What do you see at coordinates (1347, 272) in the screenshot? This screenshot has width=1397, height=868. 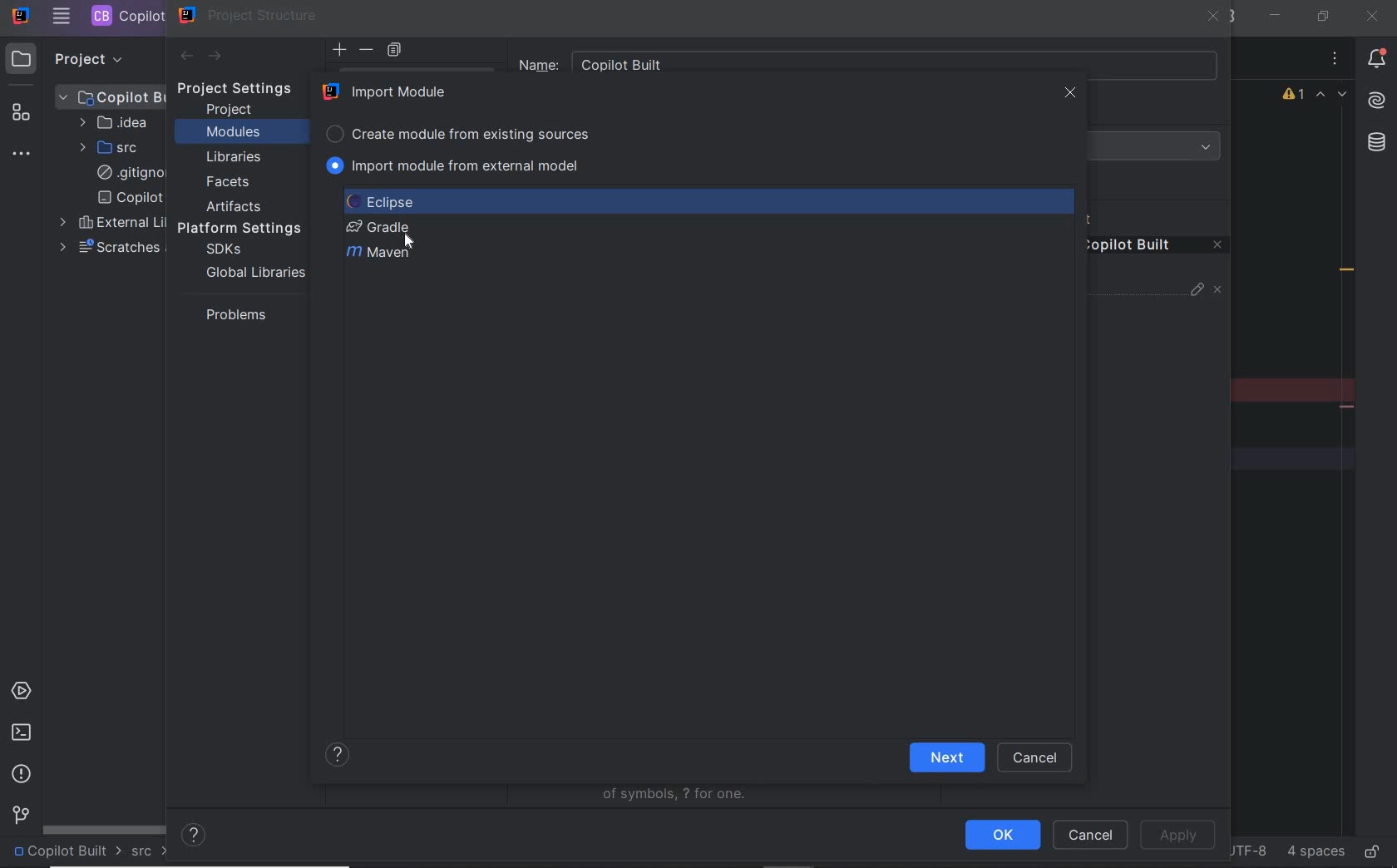 I see `redundant call` at bounding box center [1347, 272].